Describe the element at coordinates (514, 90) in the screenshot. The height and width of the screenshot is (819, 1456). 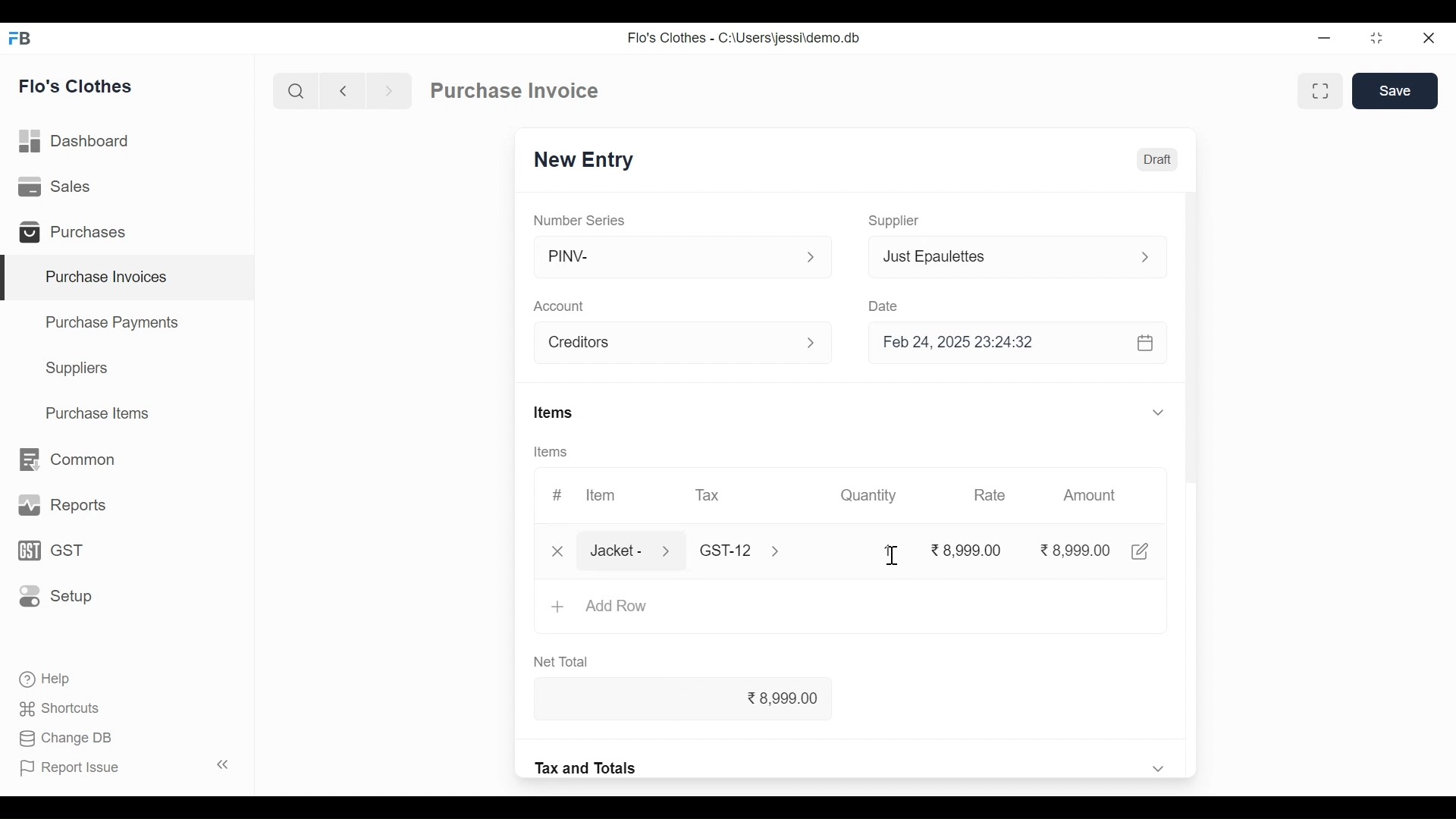
I see `Purchase Invoice` at that location.